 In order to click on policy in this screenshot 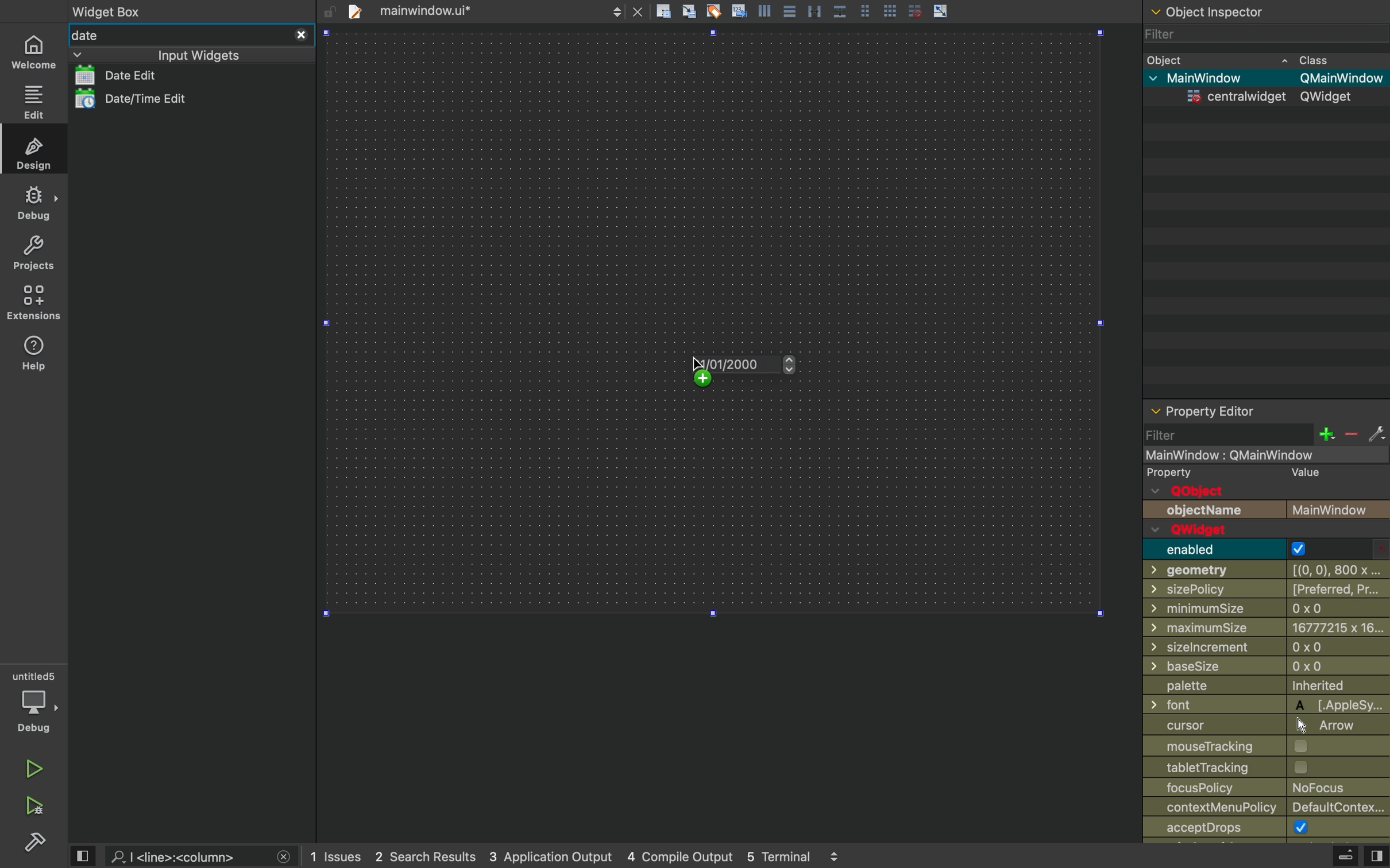, I will do `click(1268, 787)`.